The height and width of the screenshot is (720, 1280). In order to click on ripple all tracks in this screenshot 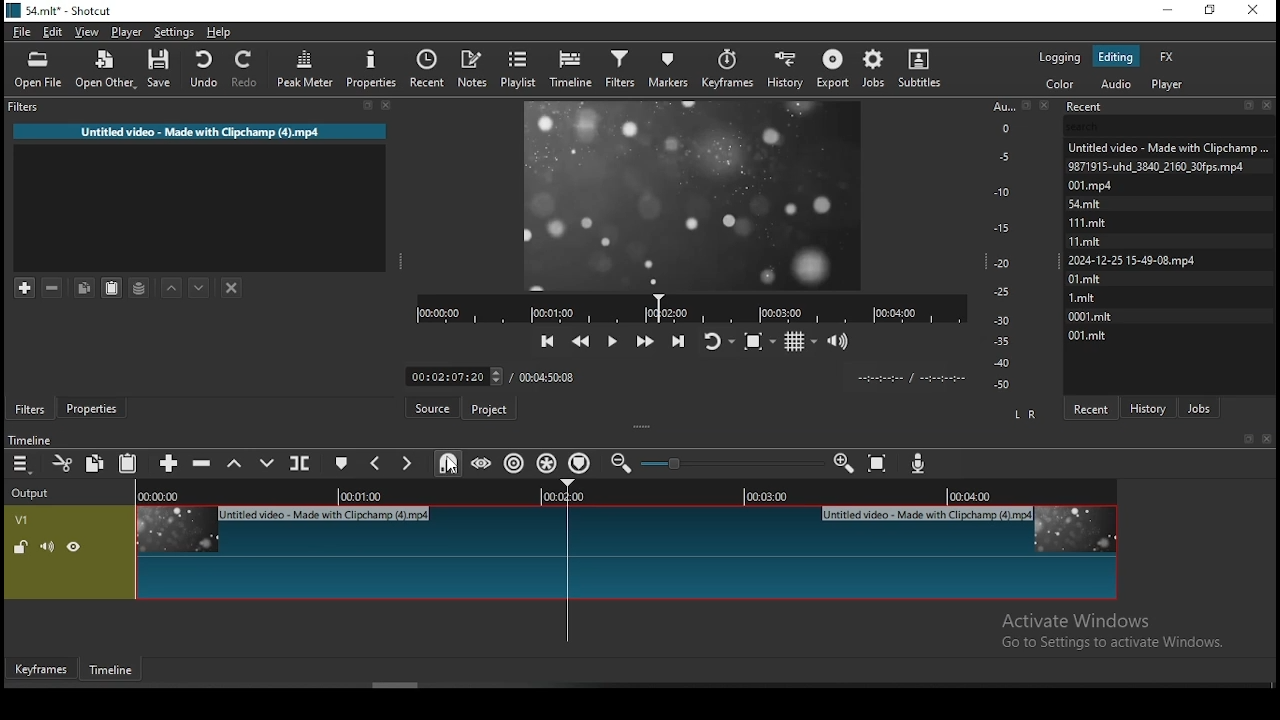, I will do `click(548, 463)`.